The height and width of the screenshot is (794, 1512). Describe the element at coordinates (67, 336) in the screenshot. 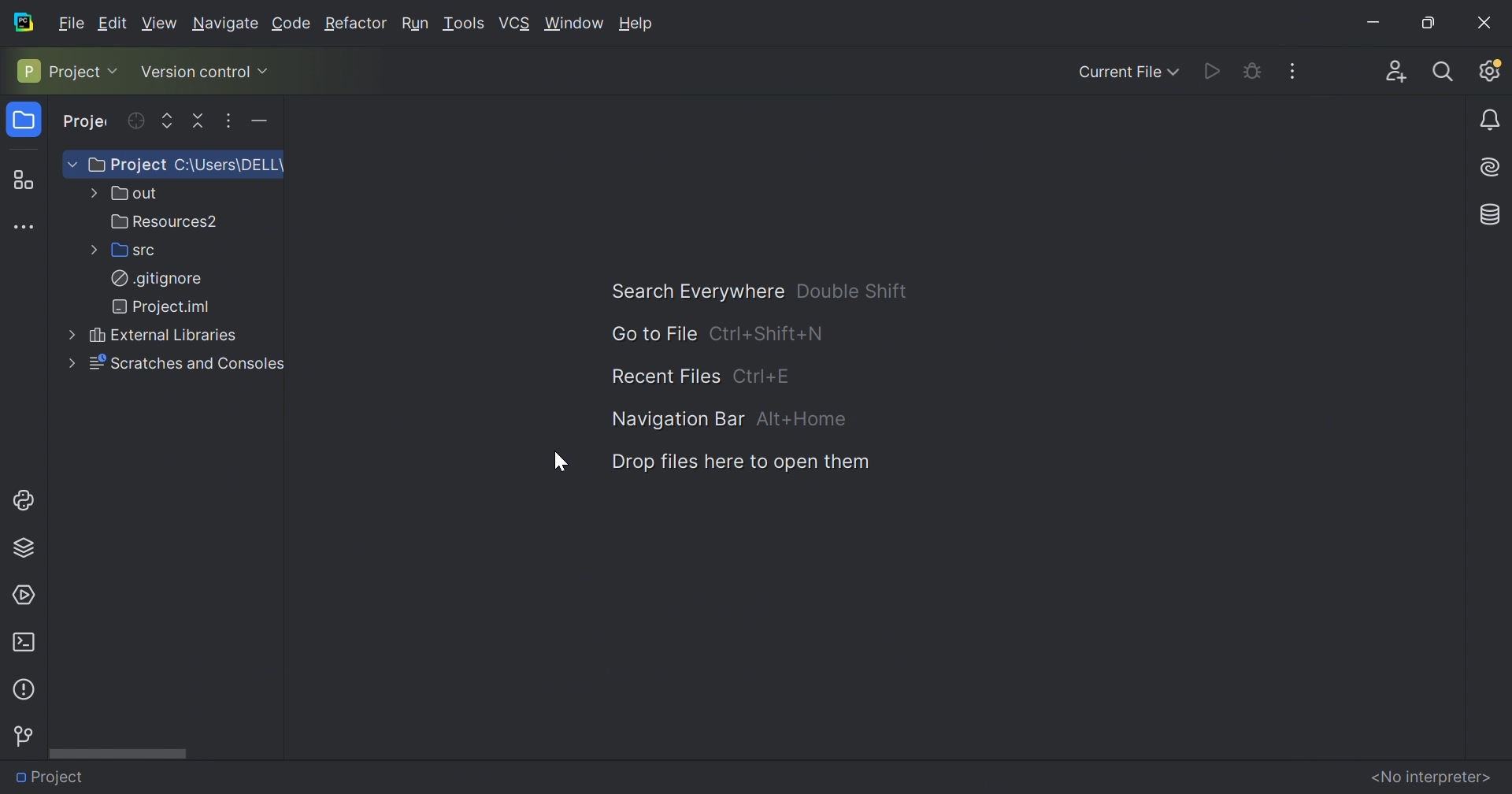

I see `More` at that location.